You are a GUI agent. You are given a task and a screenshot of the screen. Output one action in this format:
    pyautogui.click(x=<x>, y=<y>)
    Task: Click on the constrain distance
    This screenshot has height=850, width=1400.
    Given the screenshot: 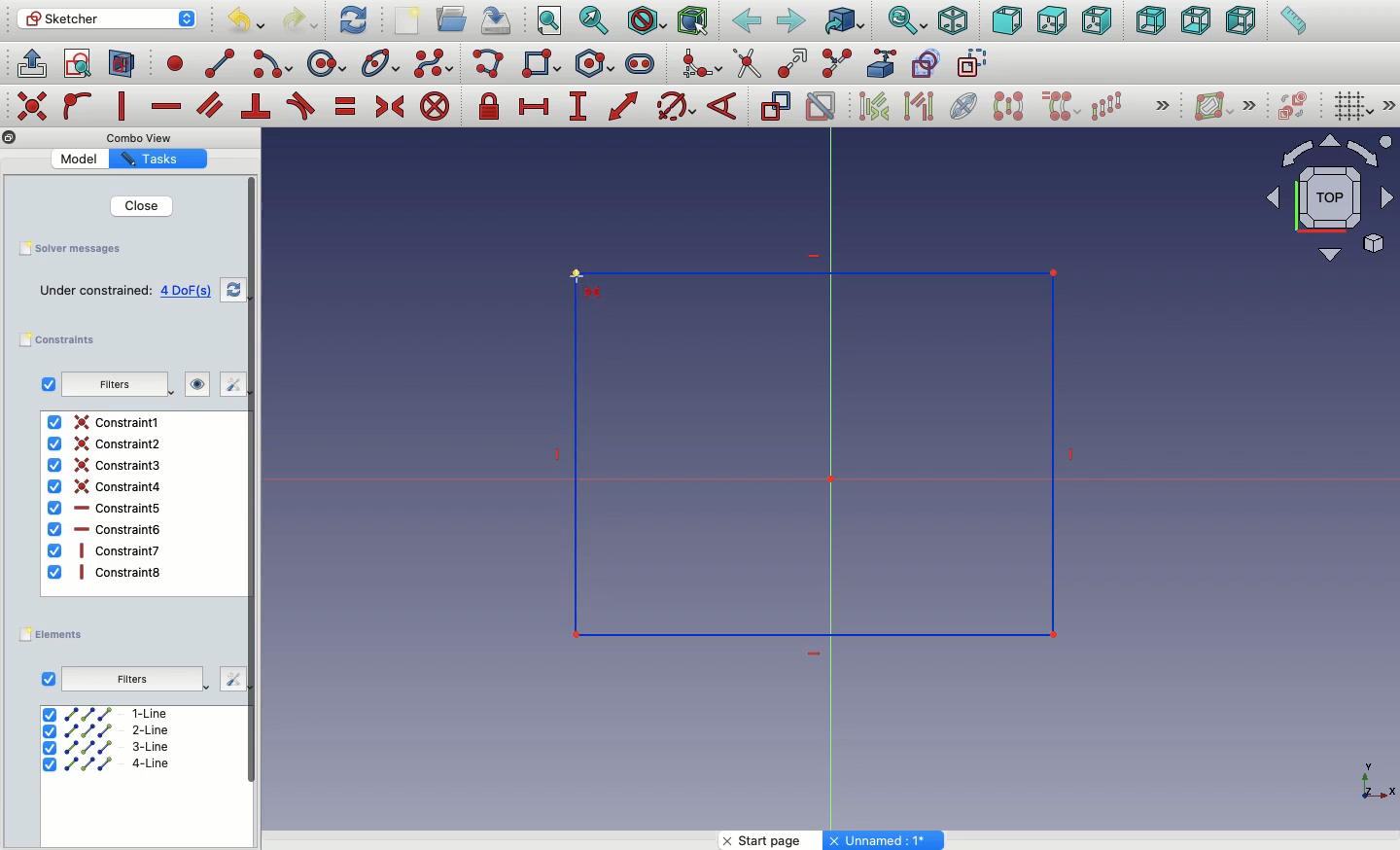 What is the action you would take?
    pyautogui.click(x=624, y=106)
    